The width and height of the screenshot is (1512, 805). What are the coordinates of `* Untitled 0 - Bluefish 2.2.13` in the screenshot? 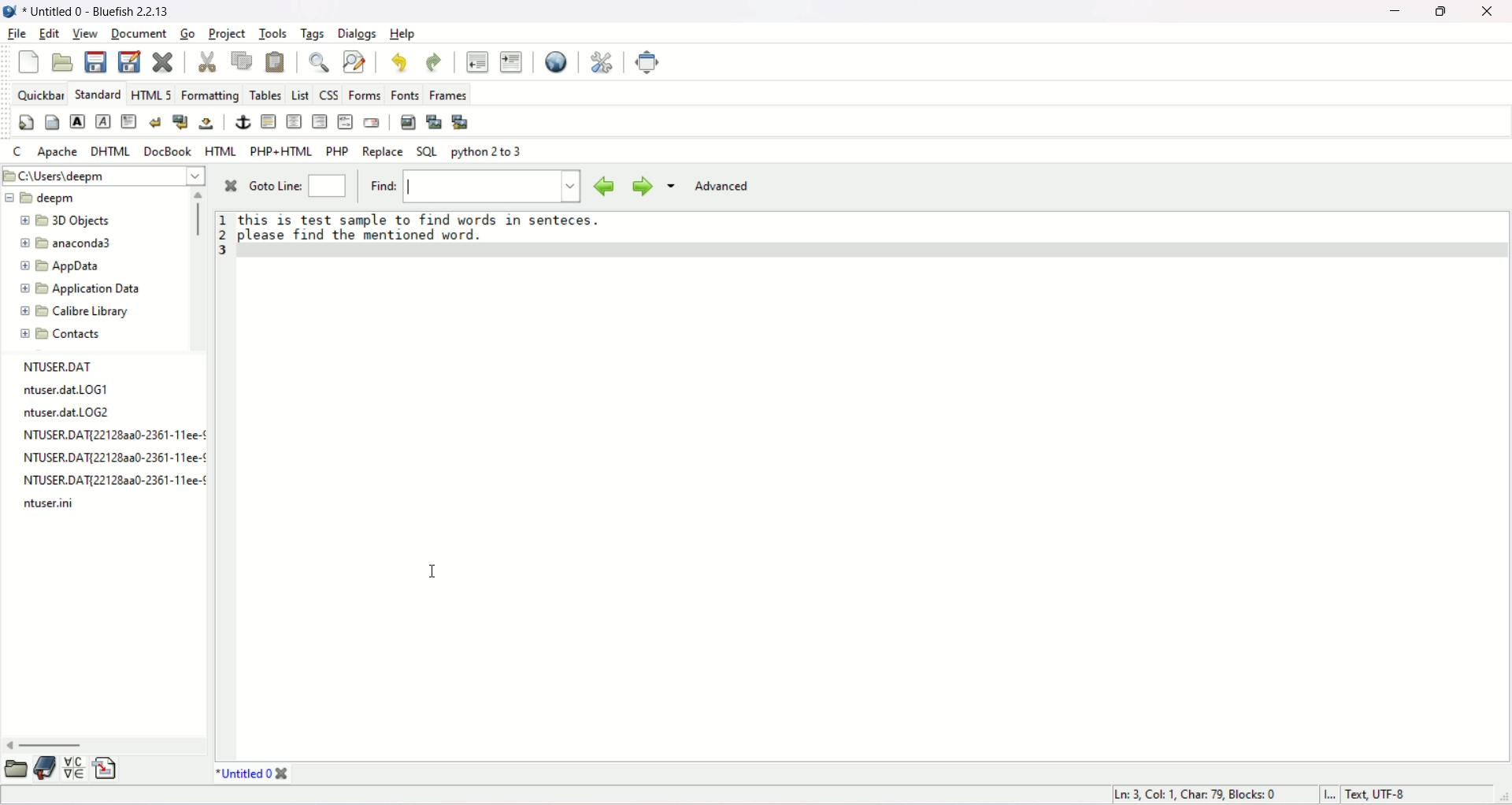 It's located at (100, 12).